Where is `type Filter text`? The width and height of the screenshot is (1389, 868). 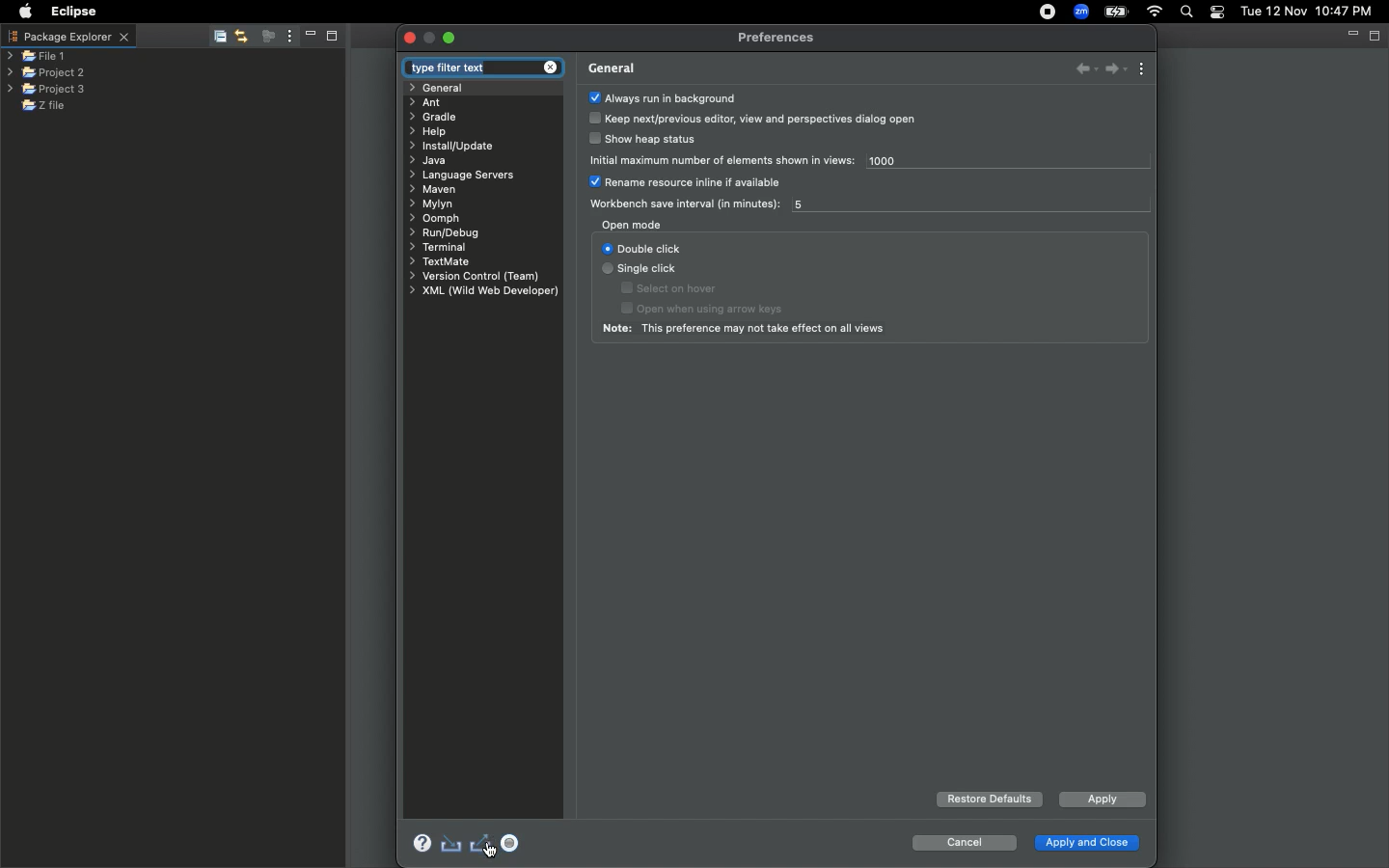 type Filter text is located at coordinates (478, 68).